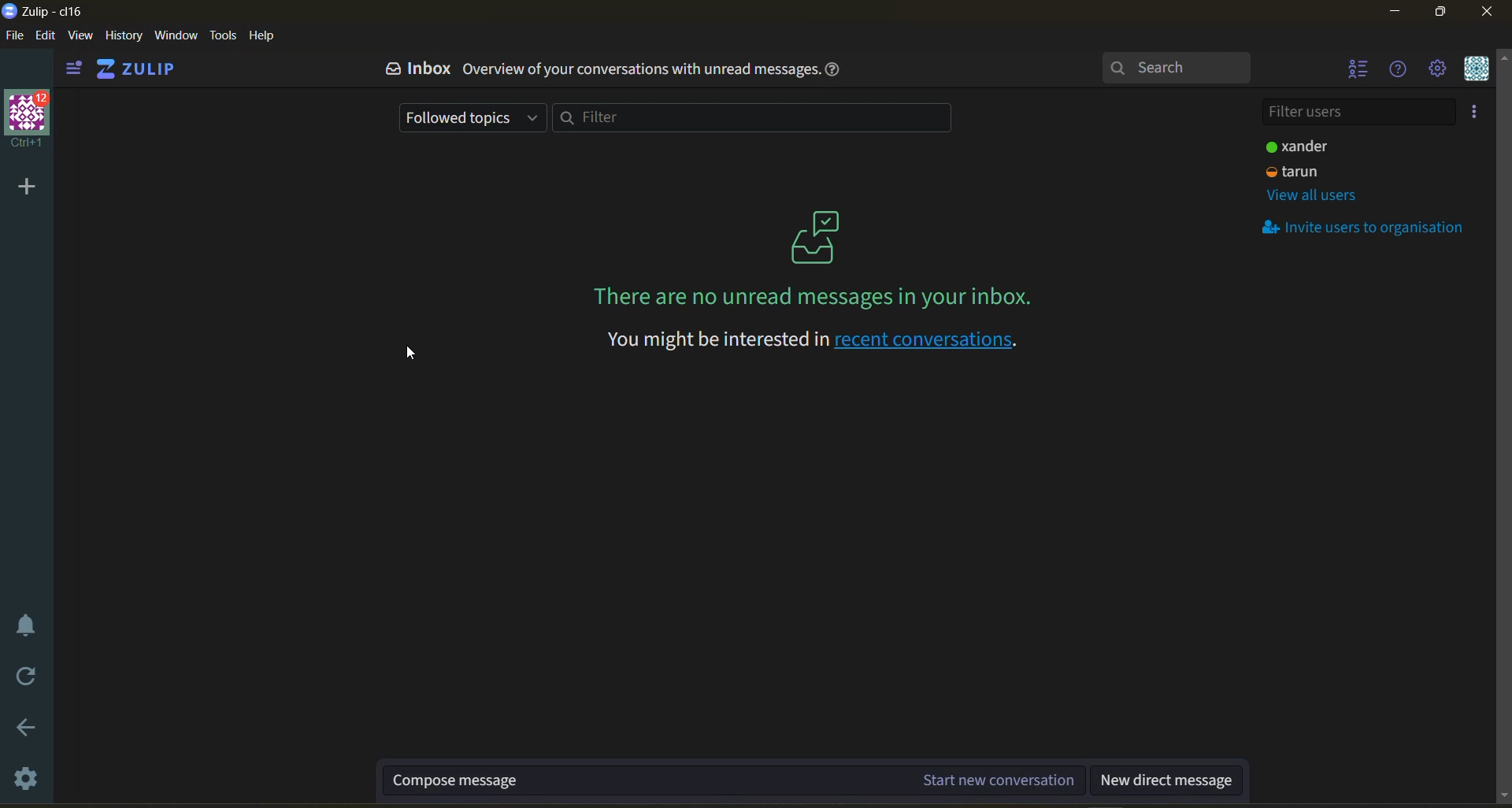 The width and height of the screenshot is (1512, 808). Describe the element at coordinates (1443, 70) in the screenshot. I see `main menu` at that location.